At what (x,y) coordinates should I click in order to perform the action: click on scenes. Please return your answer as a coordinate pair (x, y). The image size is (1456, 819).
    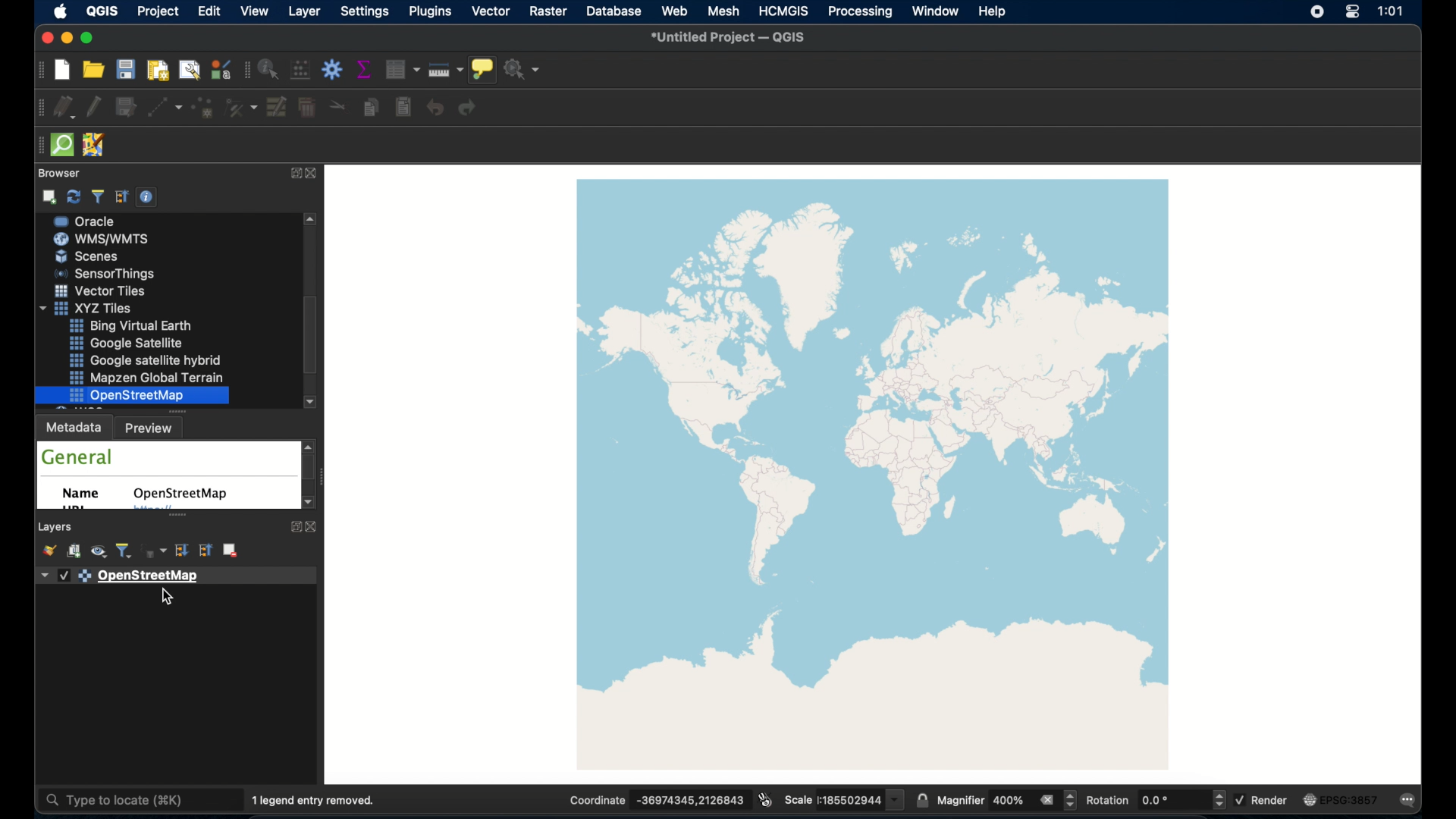
    Looking at the image, I should click on (105, 308).